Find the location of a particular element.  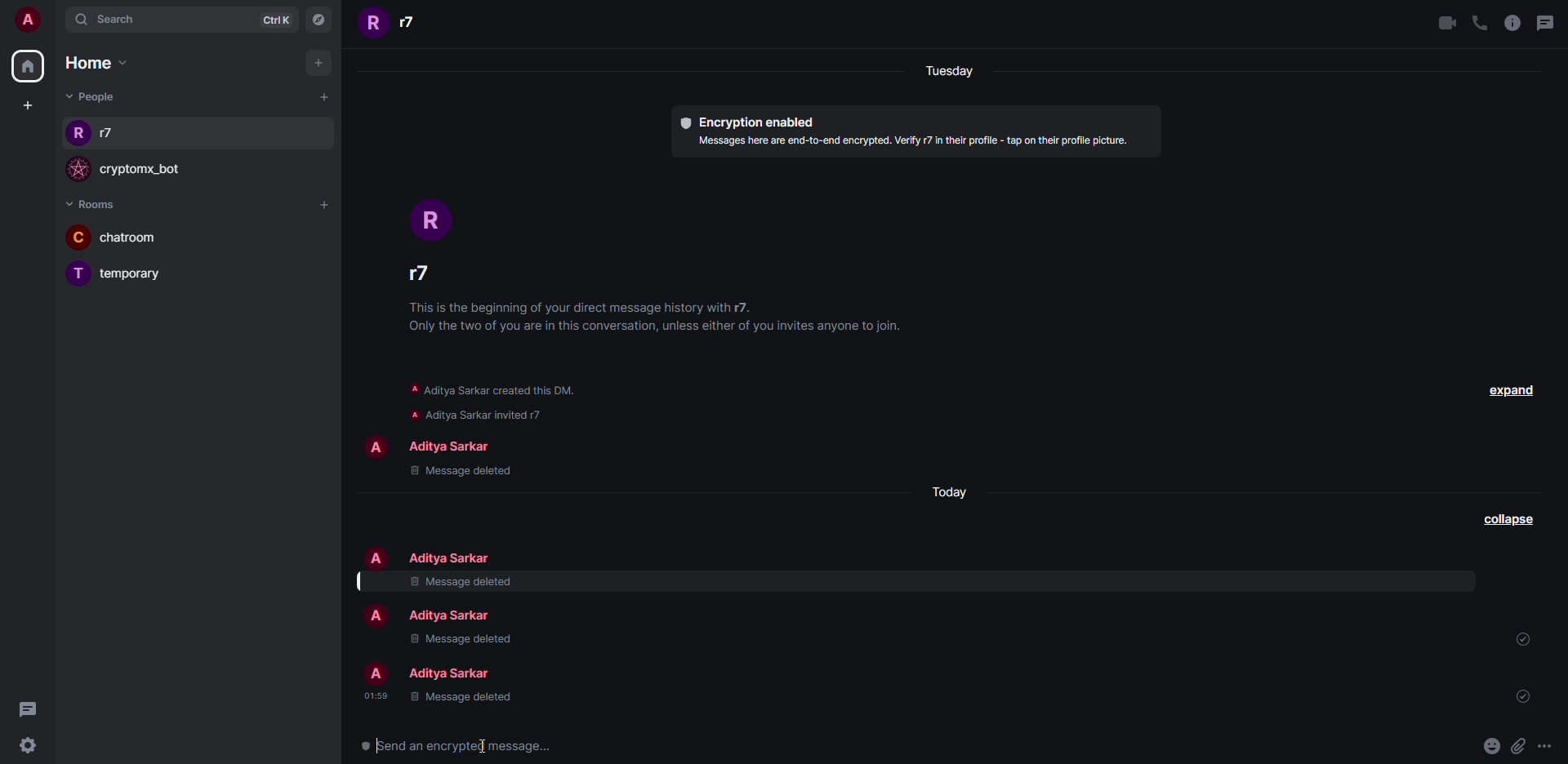

navigator is located at coordinates (322, 20).